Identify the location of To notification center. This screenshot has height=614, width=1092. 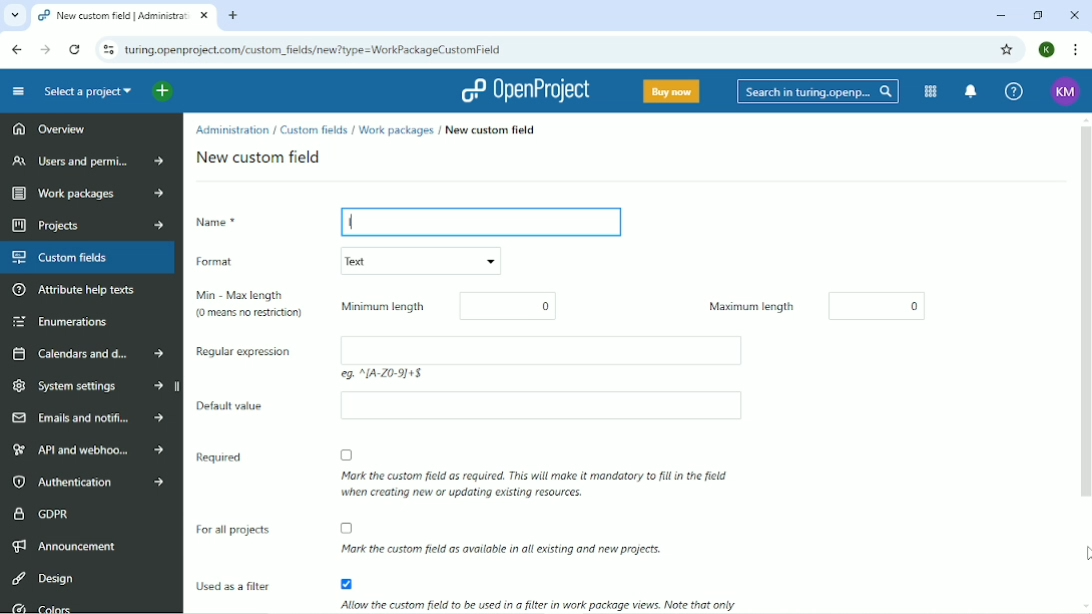
(971, 92).